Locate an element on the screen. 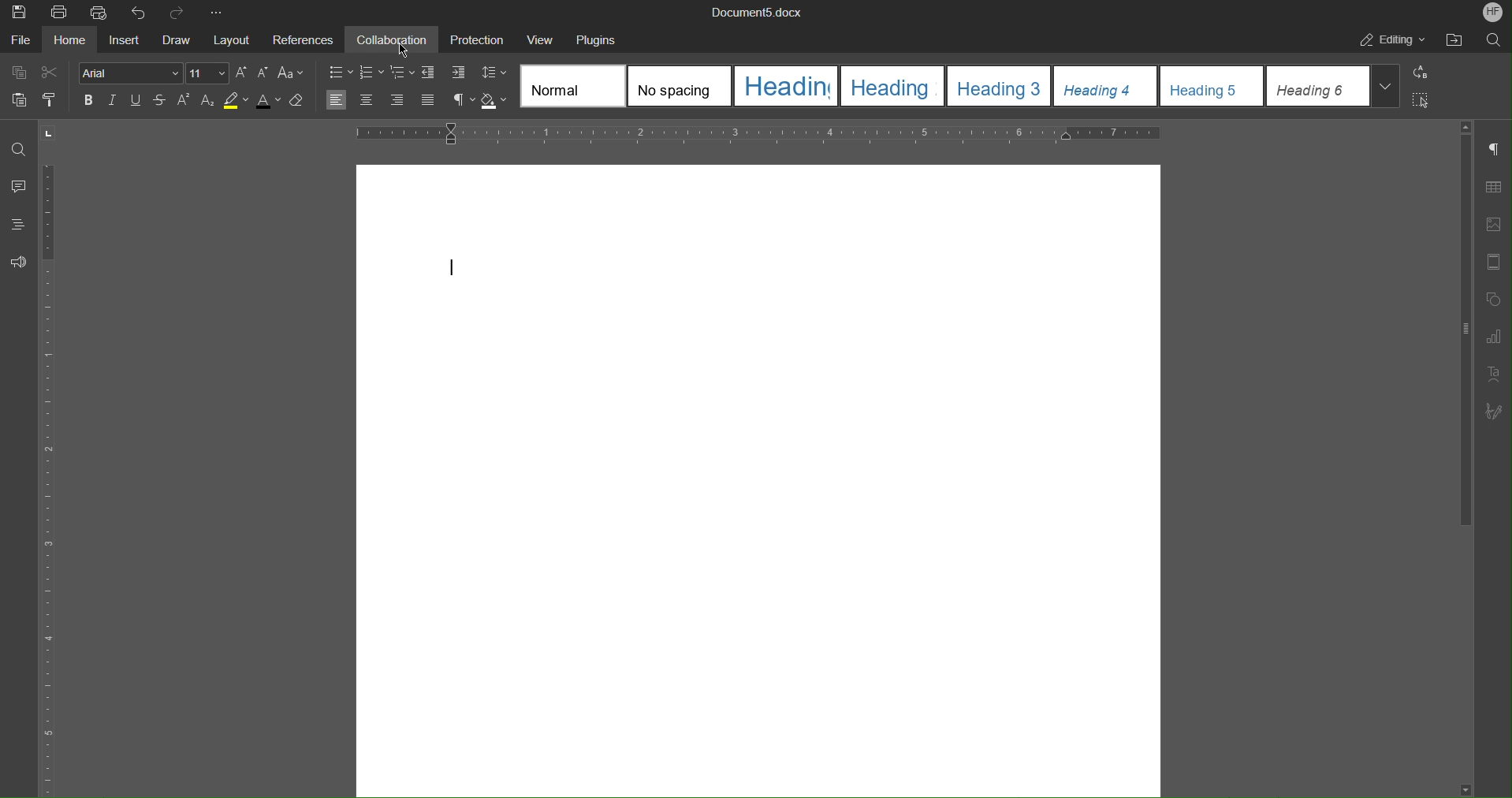 Image resolution: width=1512 pixels, height=798 pixels. Graph Settings is located at coordinates (1488, 339).